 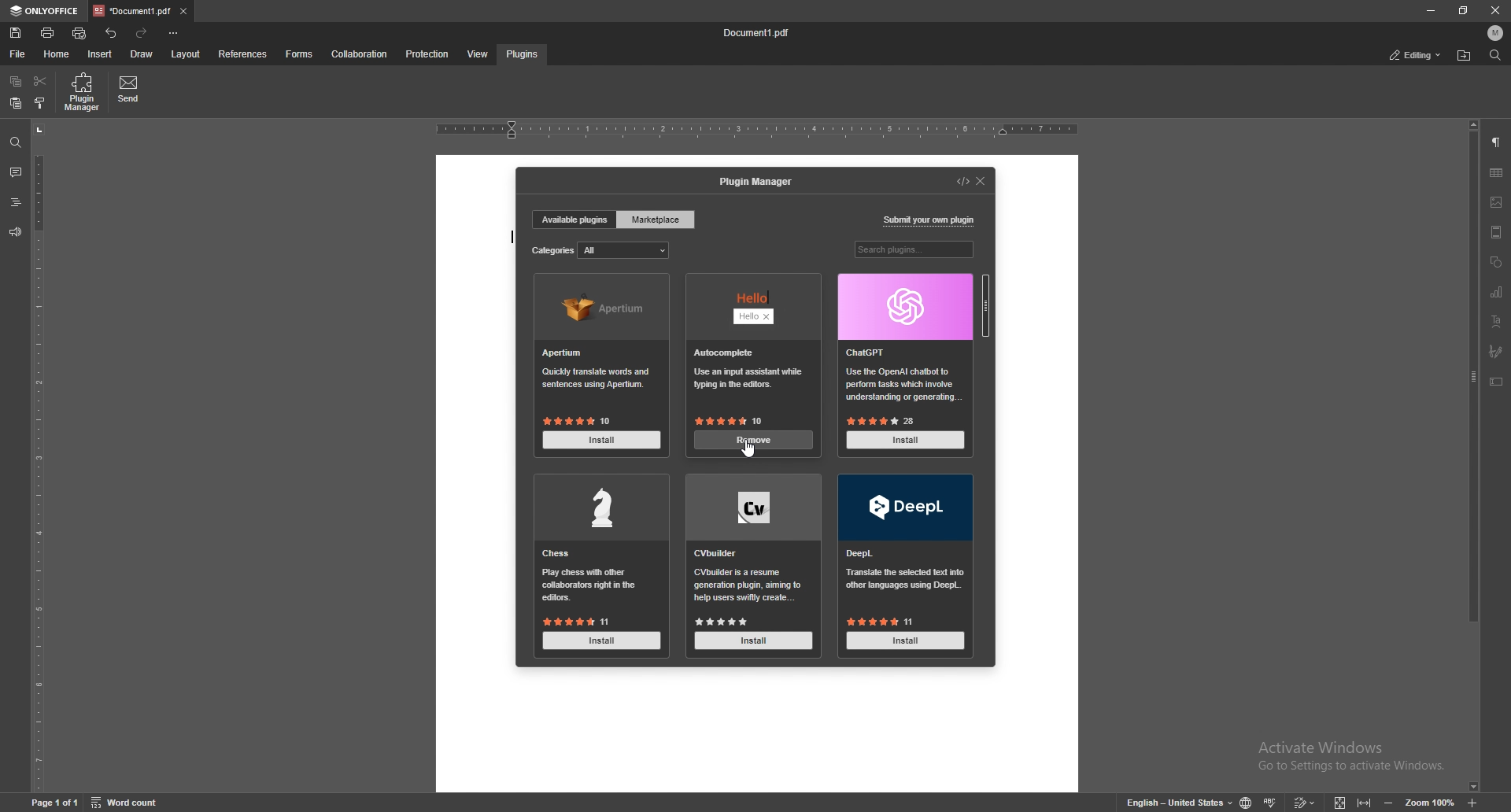 I want to click on Document1 pdf, so click(x=759, y=35).